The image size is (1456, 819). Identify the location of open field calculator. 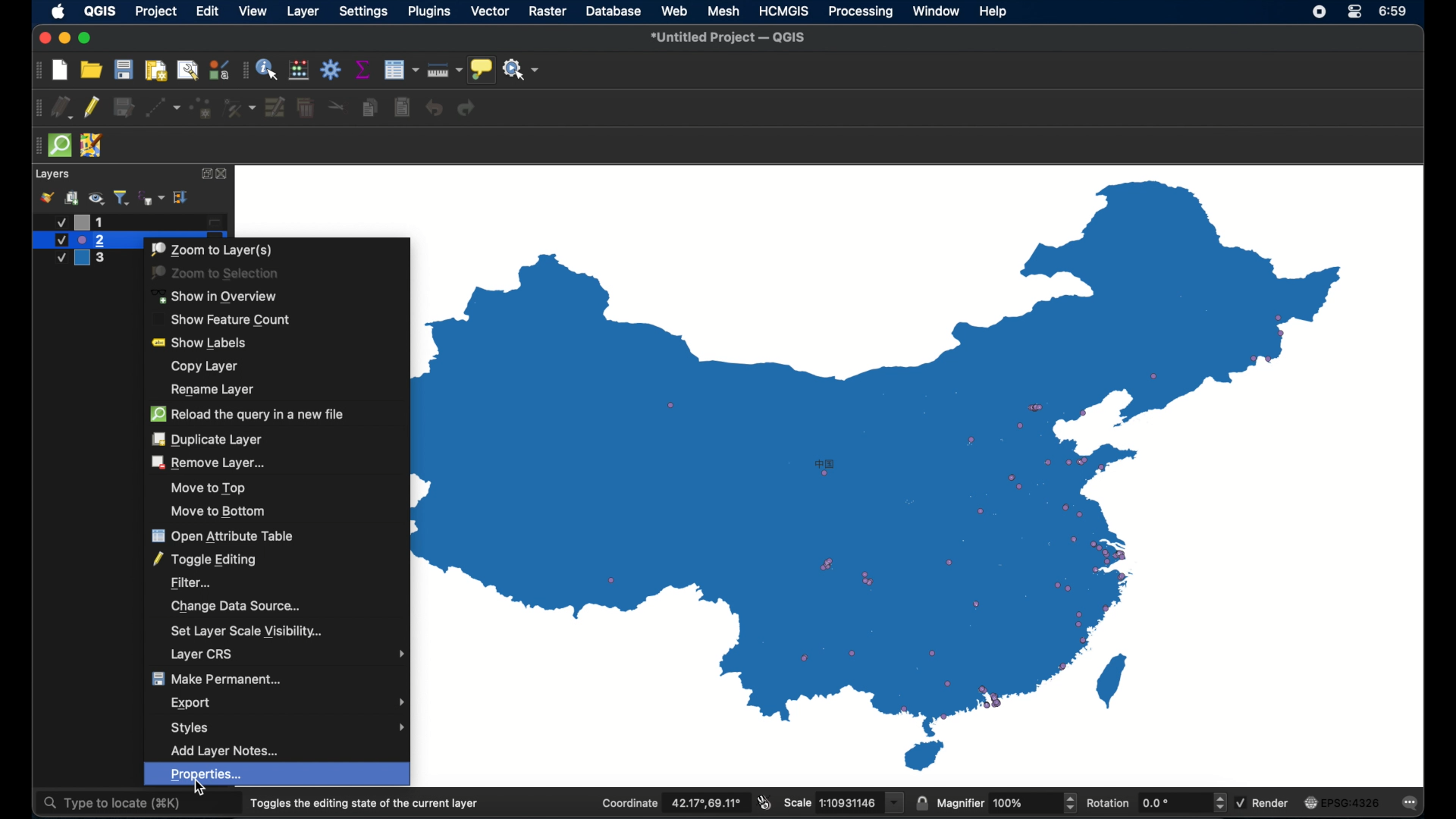
(300, 69).